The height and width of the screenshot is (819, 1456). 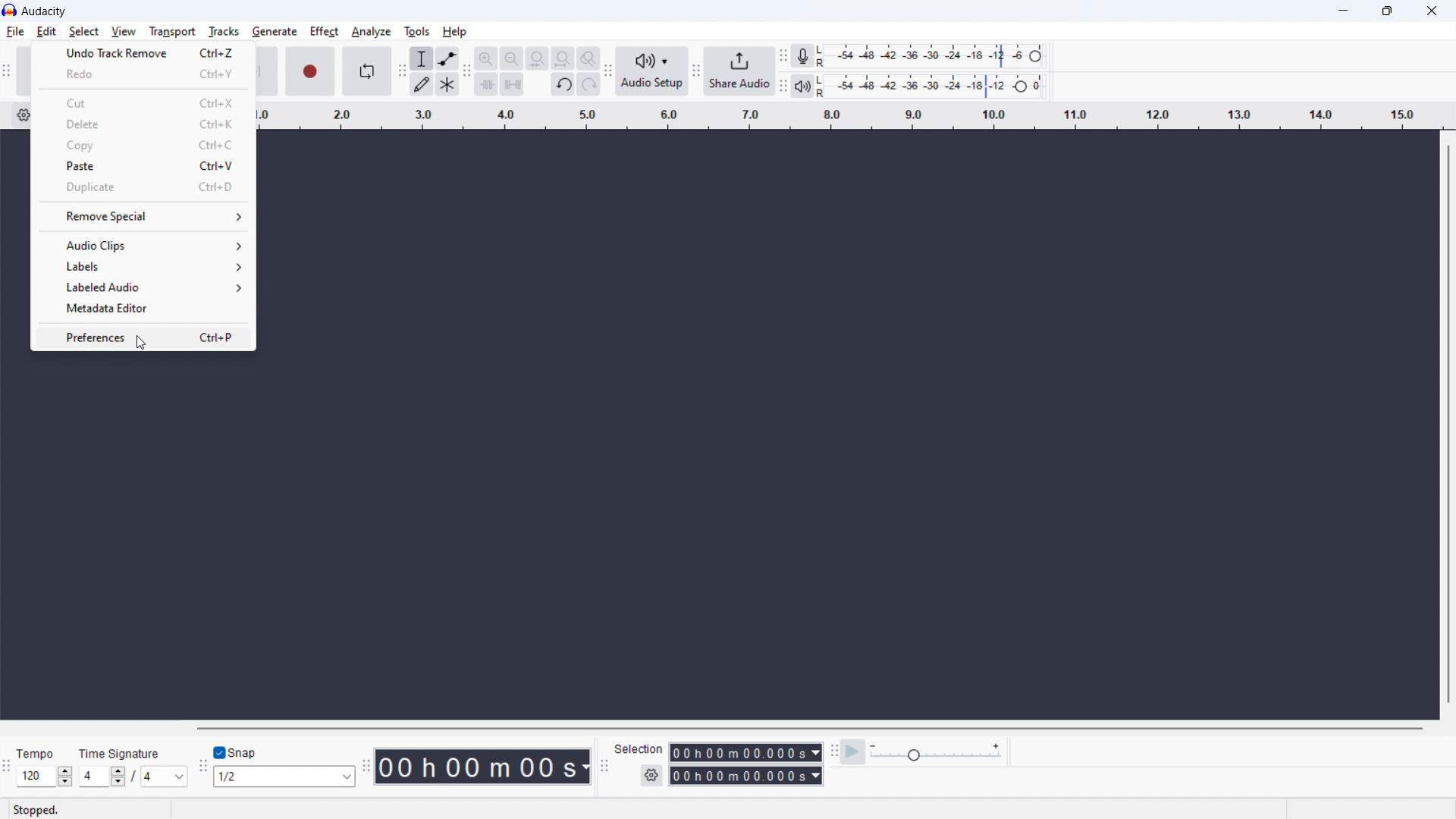 I want to click on file, so click(x=16, y=31).